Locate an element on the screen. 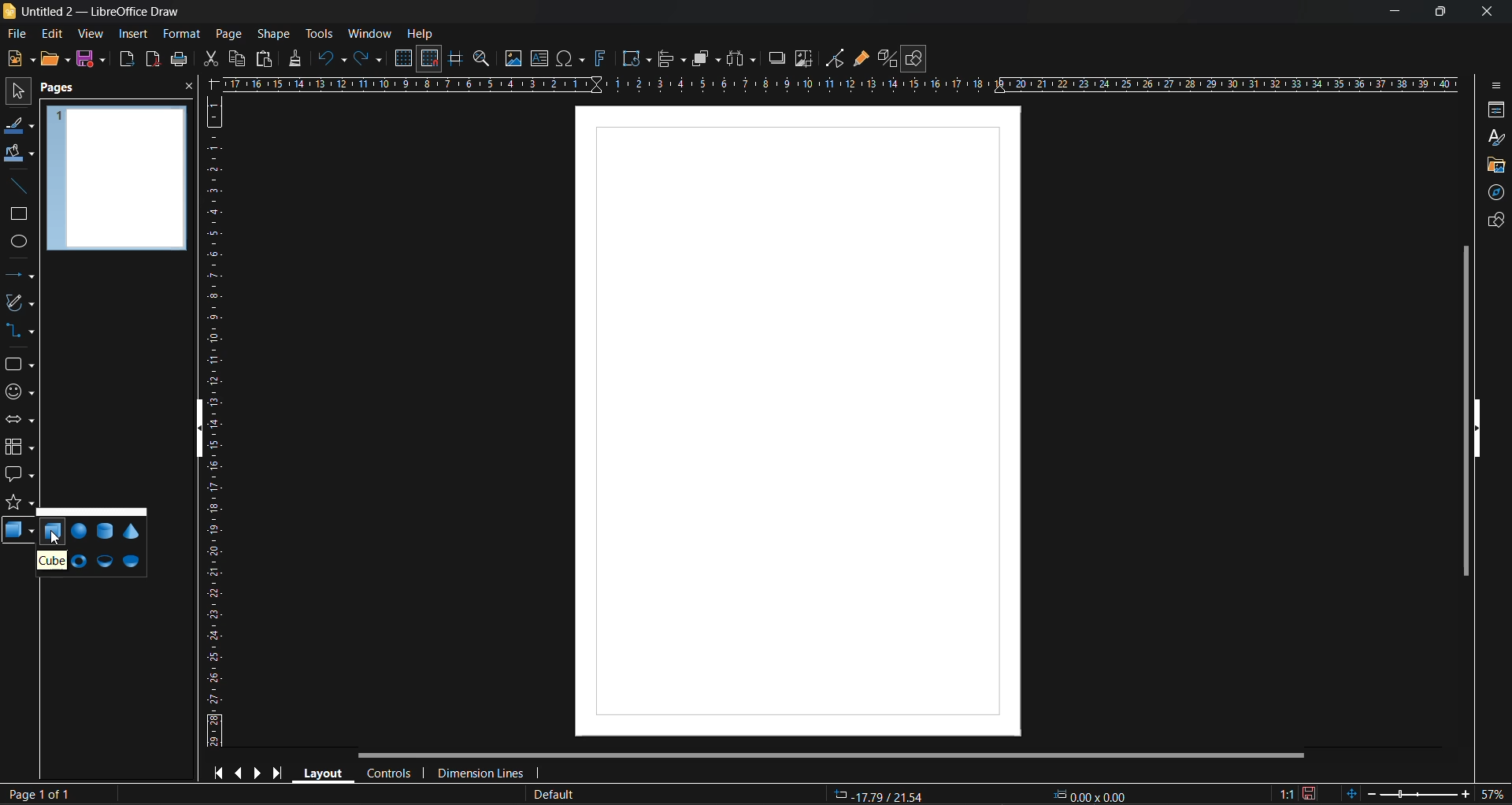 This screenshot has width=1512, height=805. stars and banners is located at coordinates (19, 506).